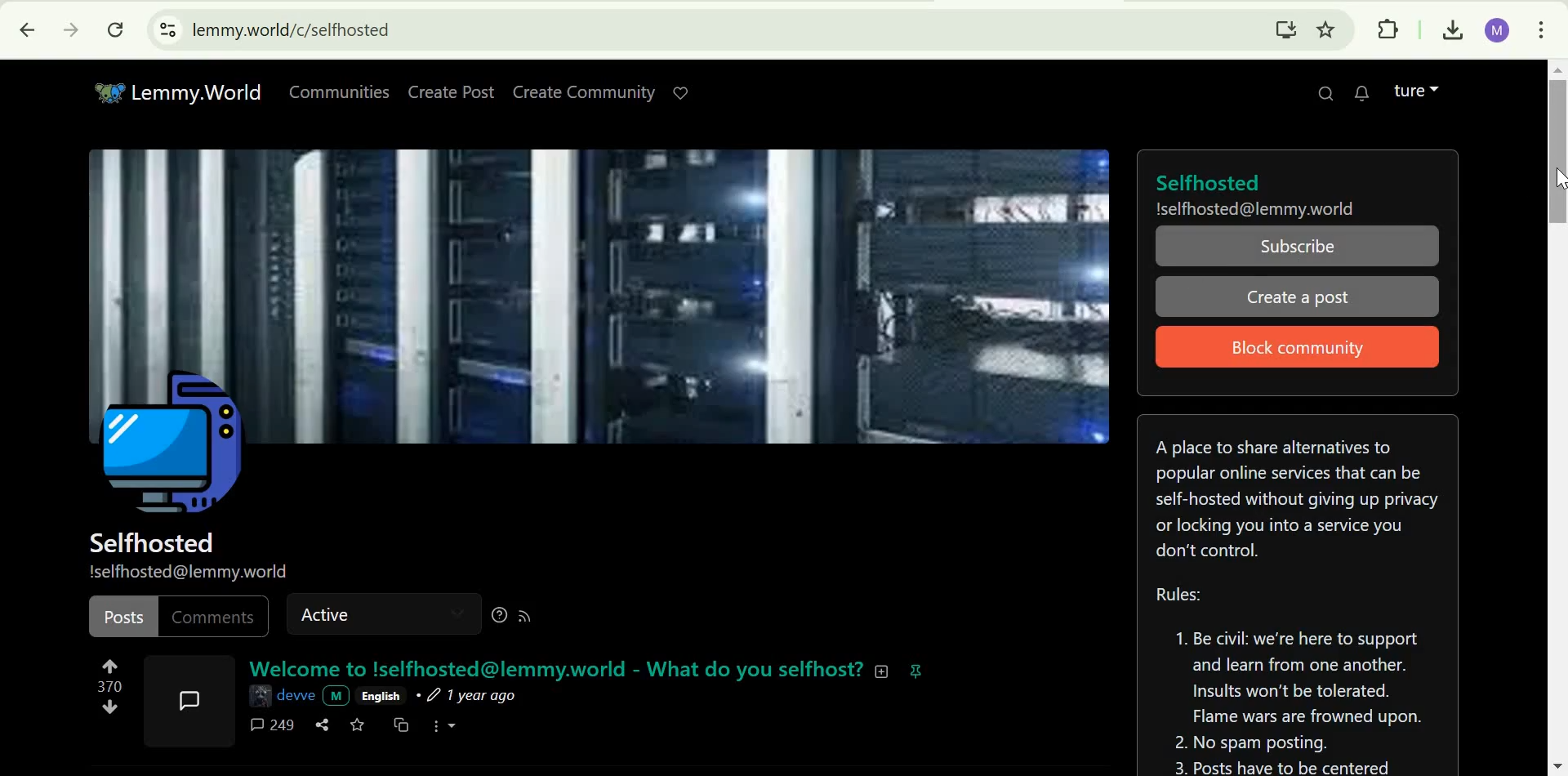 The image size is (1568, 776). I want to click on English, so click(381, 697).